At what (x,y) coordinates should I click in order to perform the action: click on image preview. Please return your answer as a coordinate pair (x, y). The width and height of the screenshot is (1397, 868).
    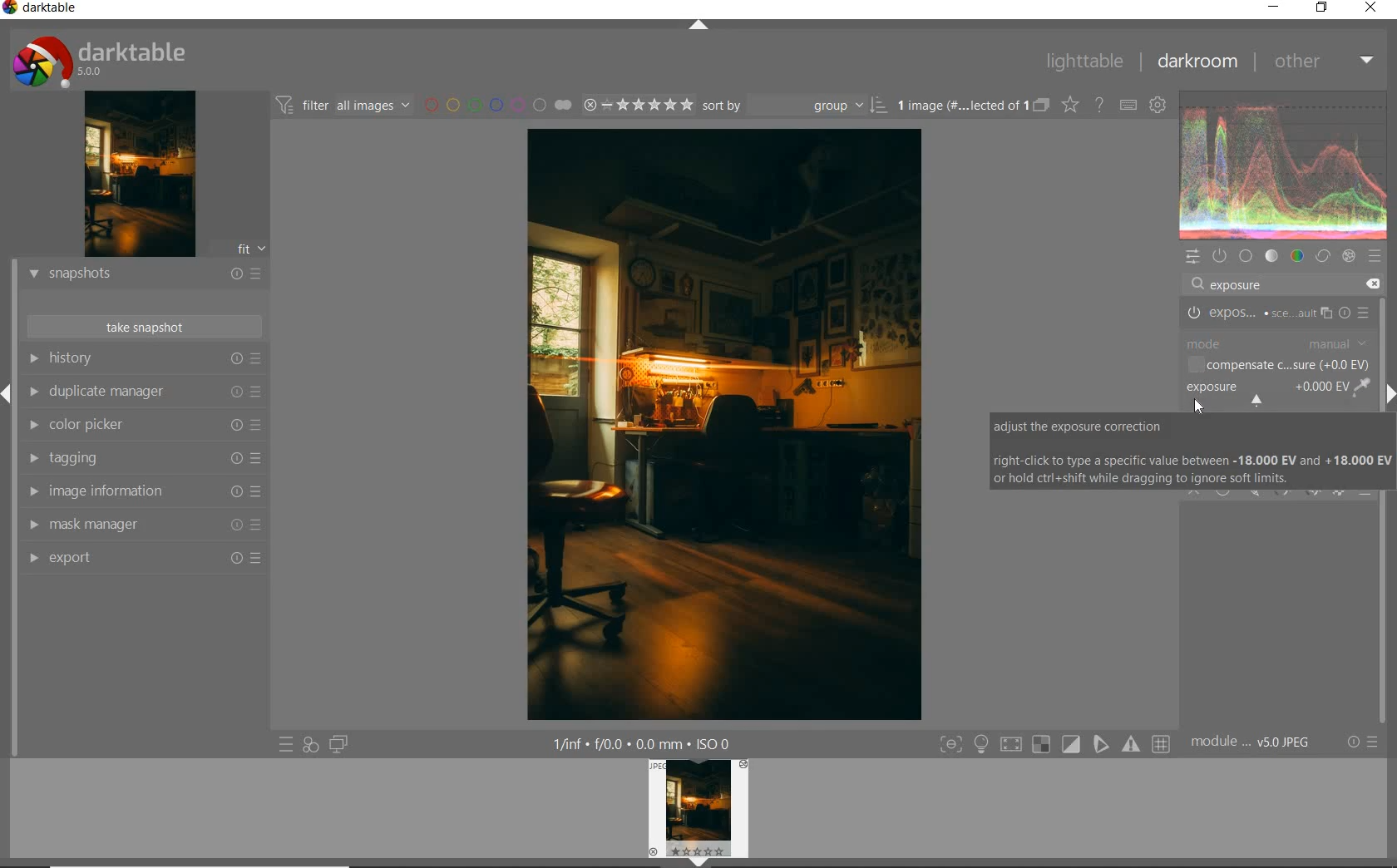
    Looking at the image, I should click on (703, 811).